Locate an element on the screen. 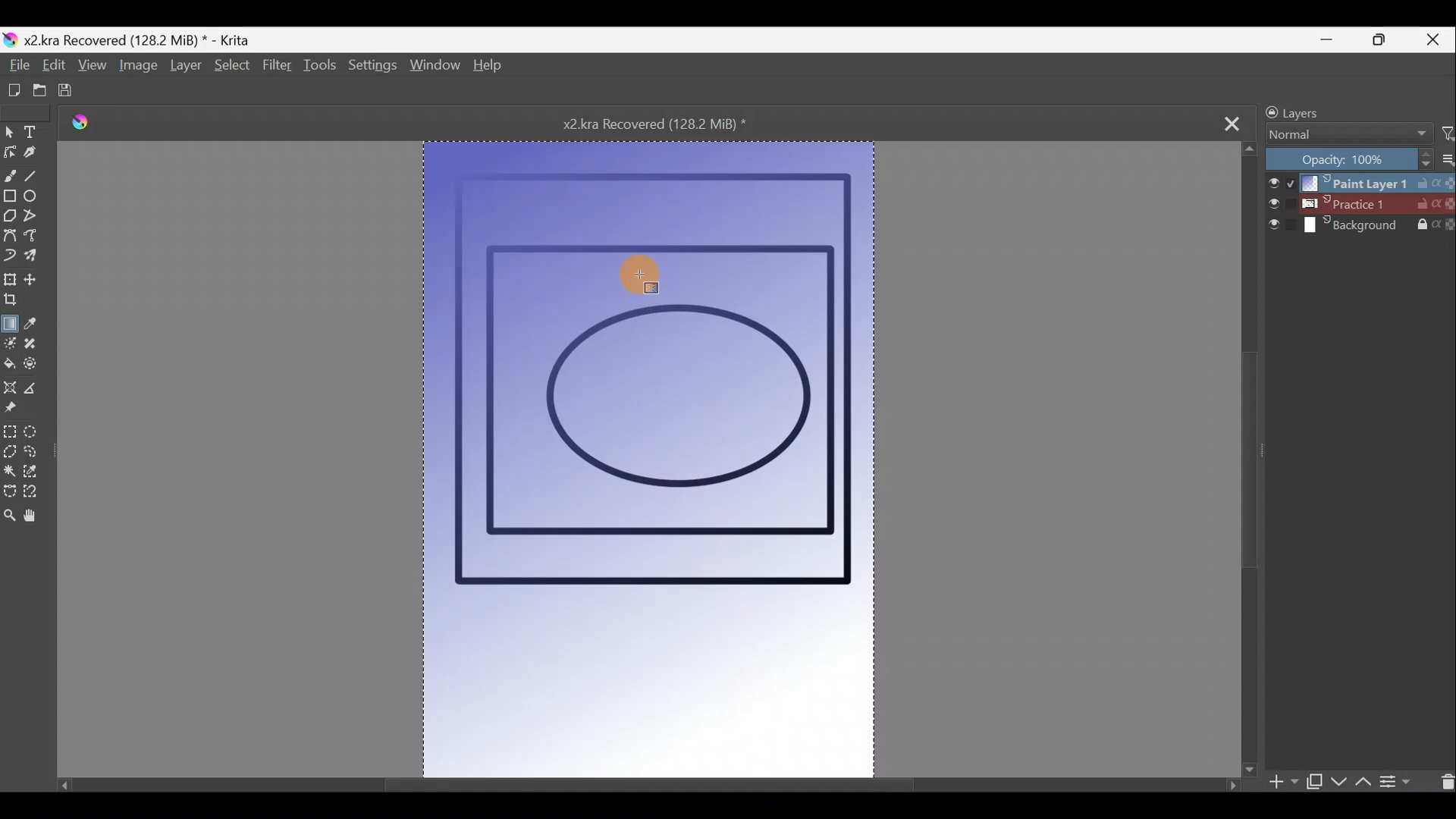 This screenshot has height=819, width=1456. Dynamic brush tool is located at coordinates (11, 256).